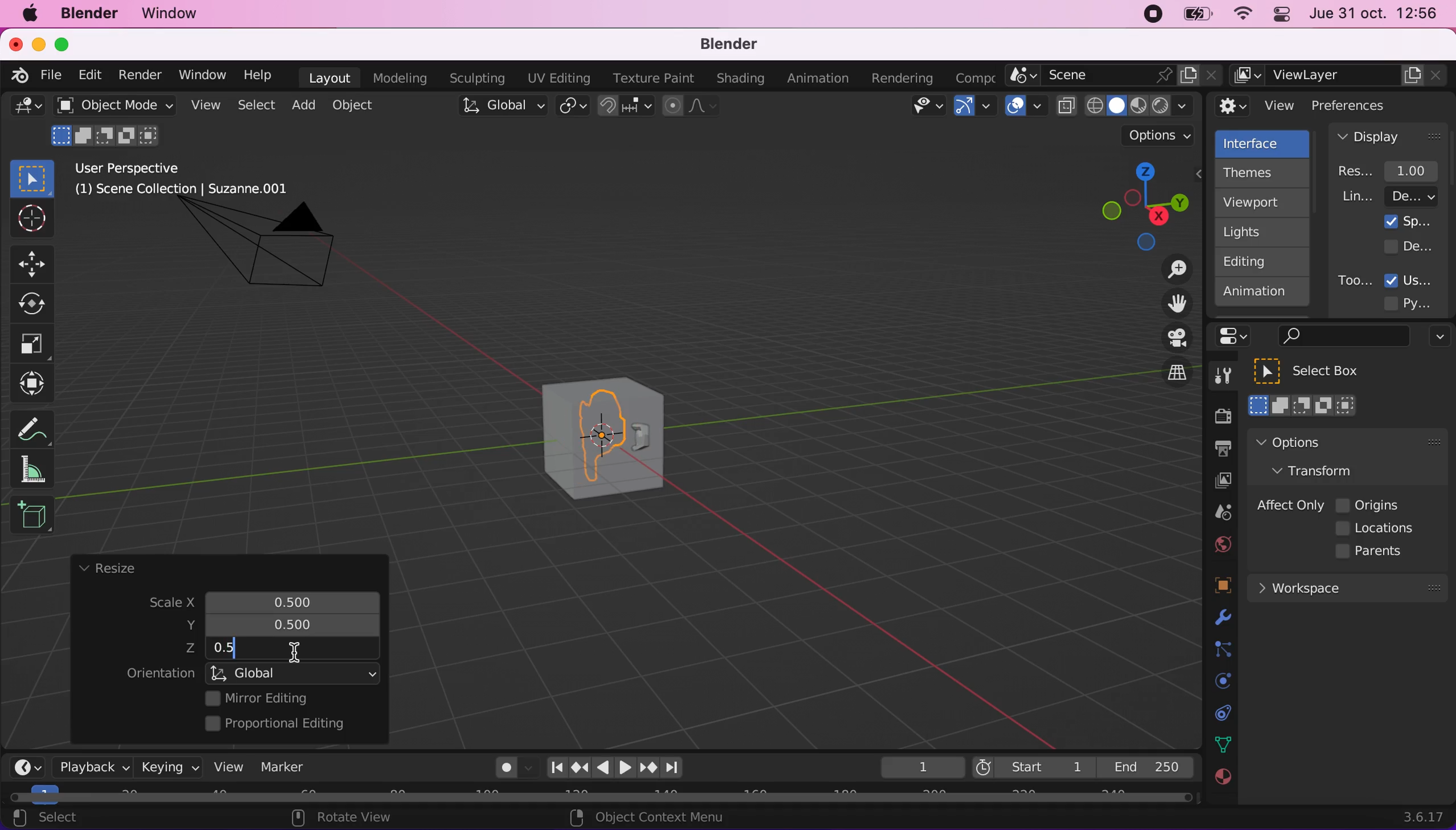  I want to click on resolution scale, so click(1394, 170).